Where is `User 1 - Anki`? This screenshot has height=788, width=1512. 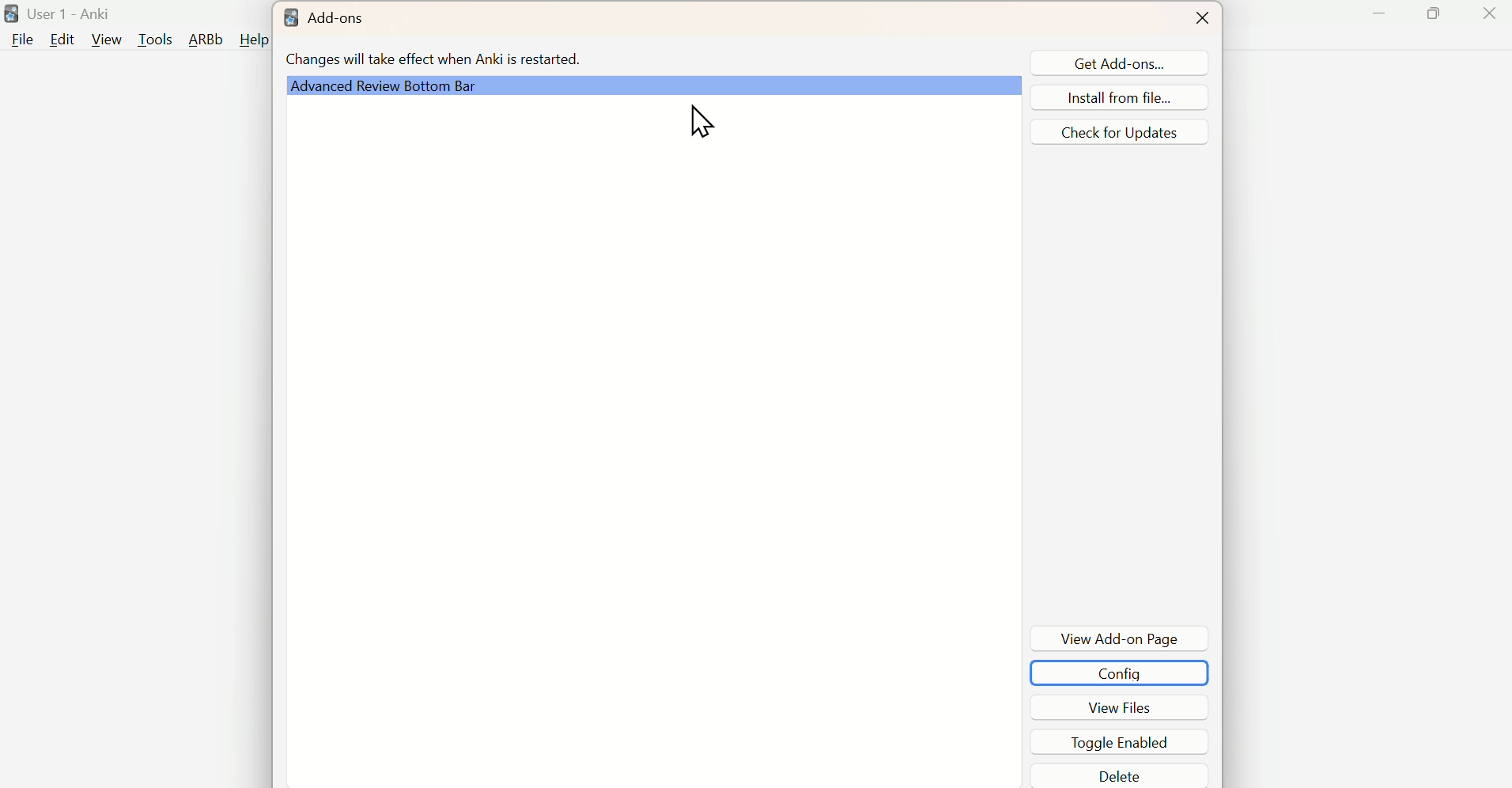
User 1 - Anki is located at coordinates (70, 14).